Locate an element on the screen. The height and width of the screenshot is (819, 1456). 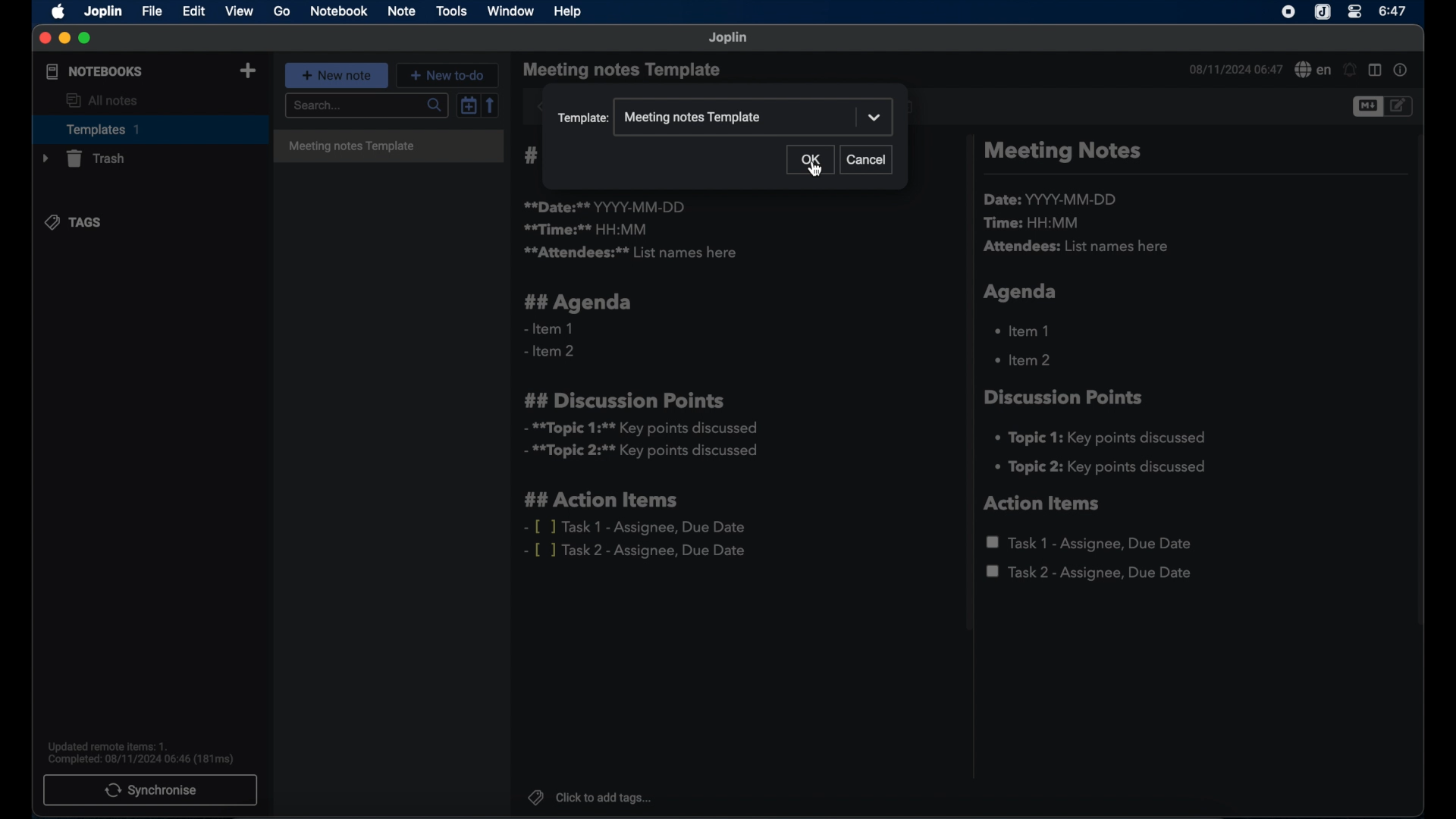
new to-do is located at coordinates (450, 74).